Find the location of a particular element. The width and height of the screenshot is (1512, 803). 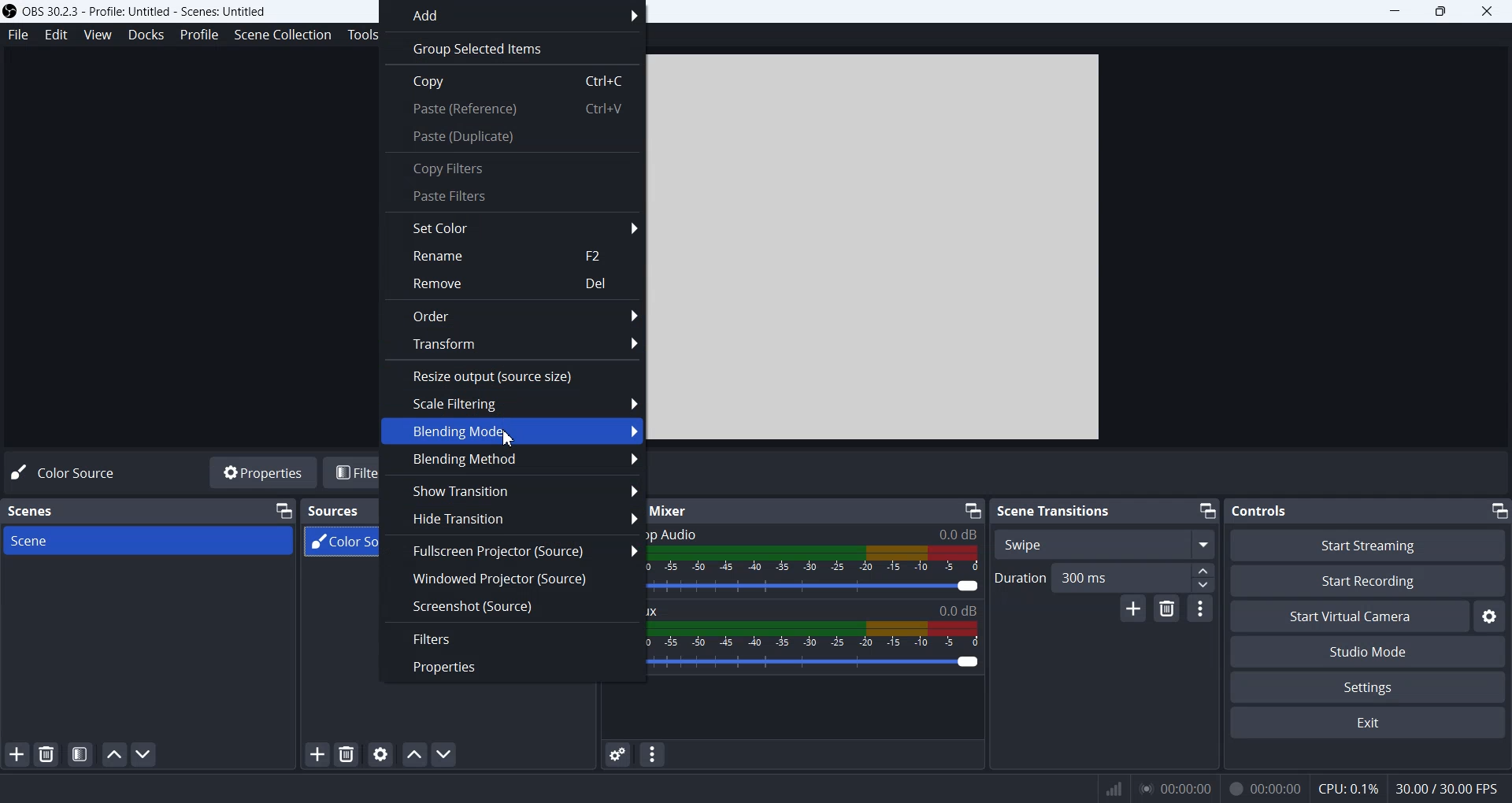

Start Recording is located at coordinates (1369, 580).